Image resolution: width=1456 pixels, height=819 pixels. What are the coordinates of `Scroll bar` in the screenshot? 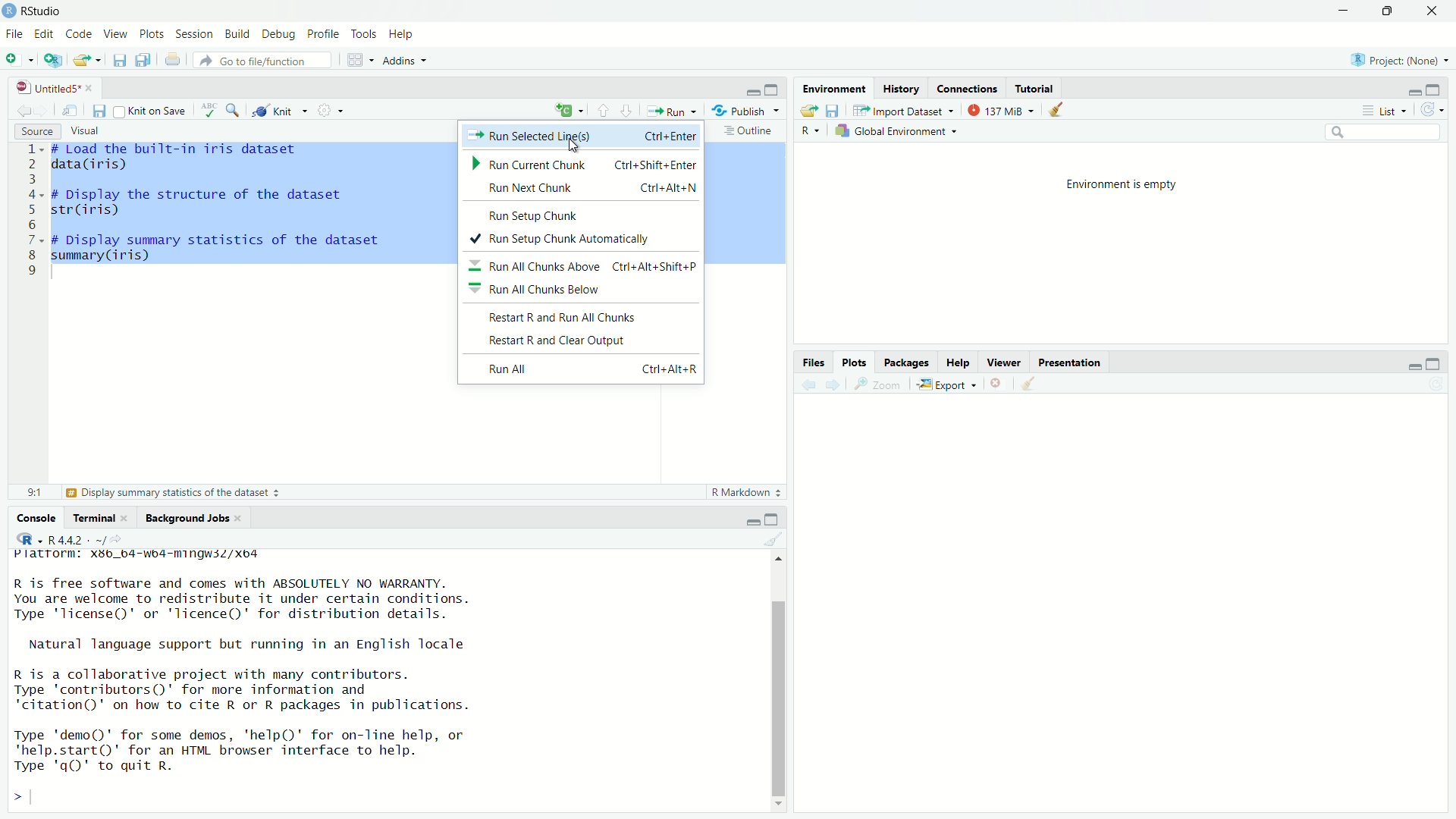 It's located at (781, 685).